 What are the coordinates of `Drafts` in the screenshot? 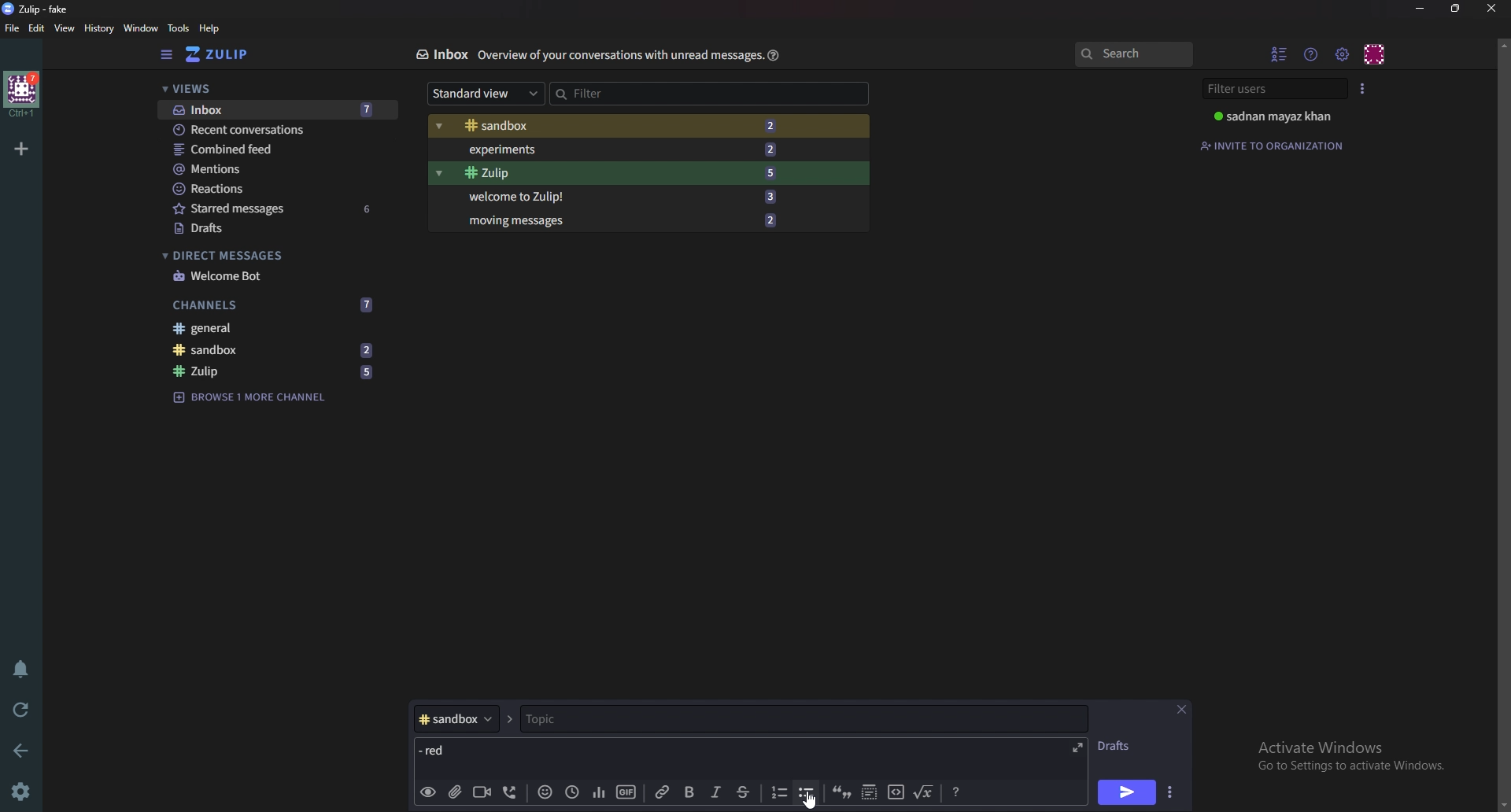 It's located at (275, 230).